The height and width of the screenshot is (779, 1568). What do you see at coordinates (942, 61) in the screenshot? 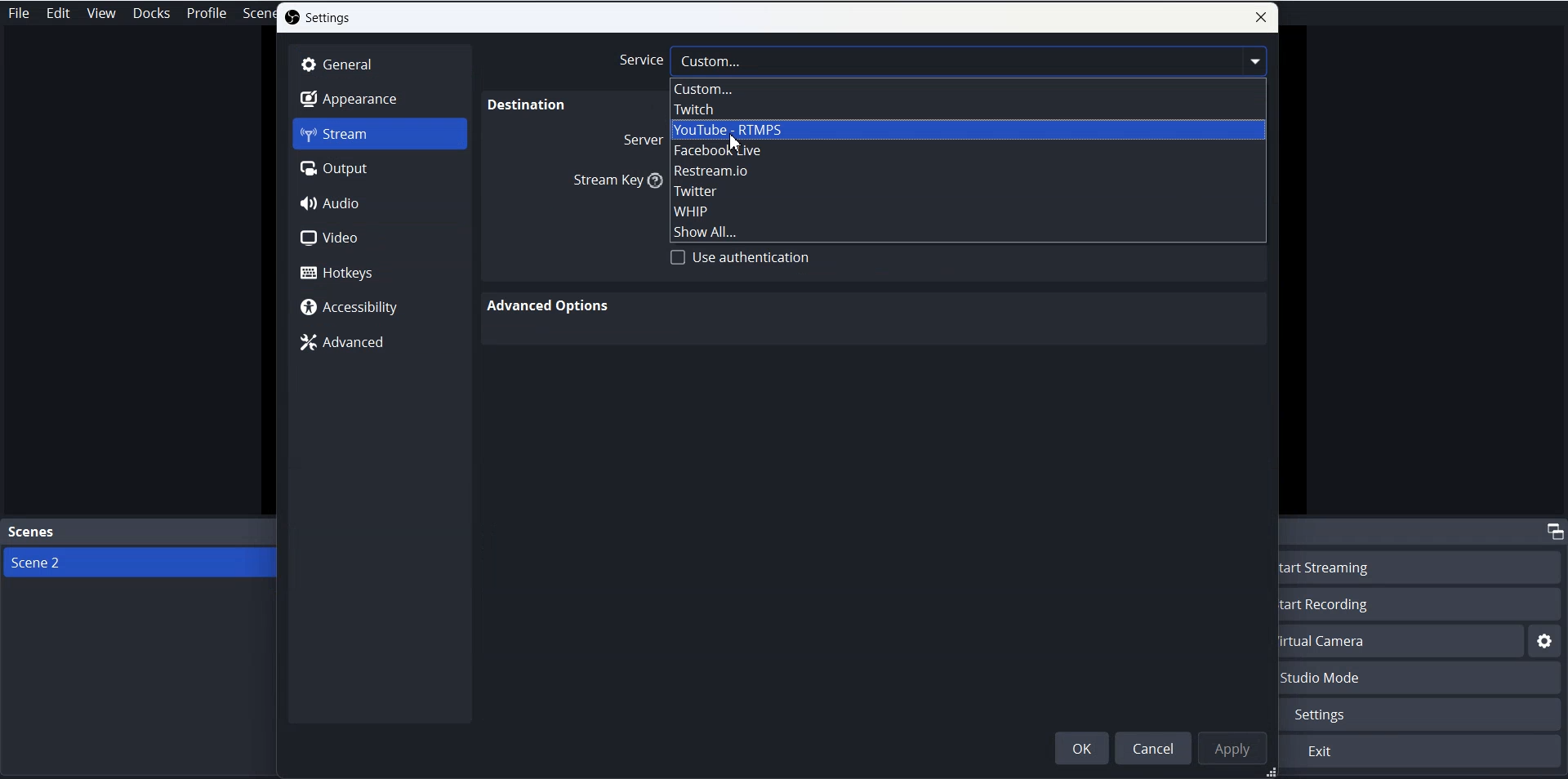
I see `Service Custom...` at bounding box center [942, 61].